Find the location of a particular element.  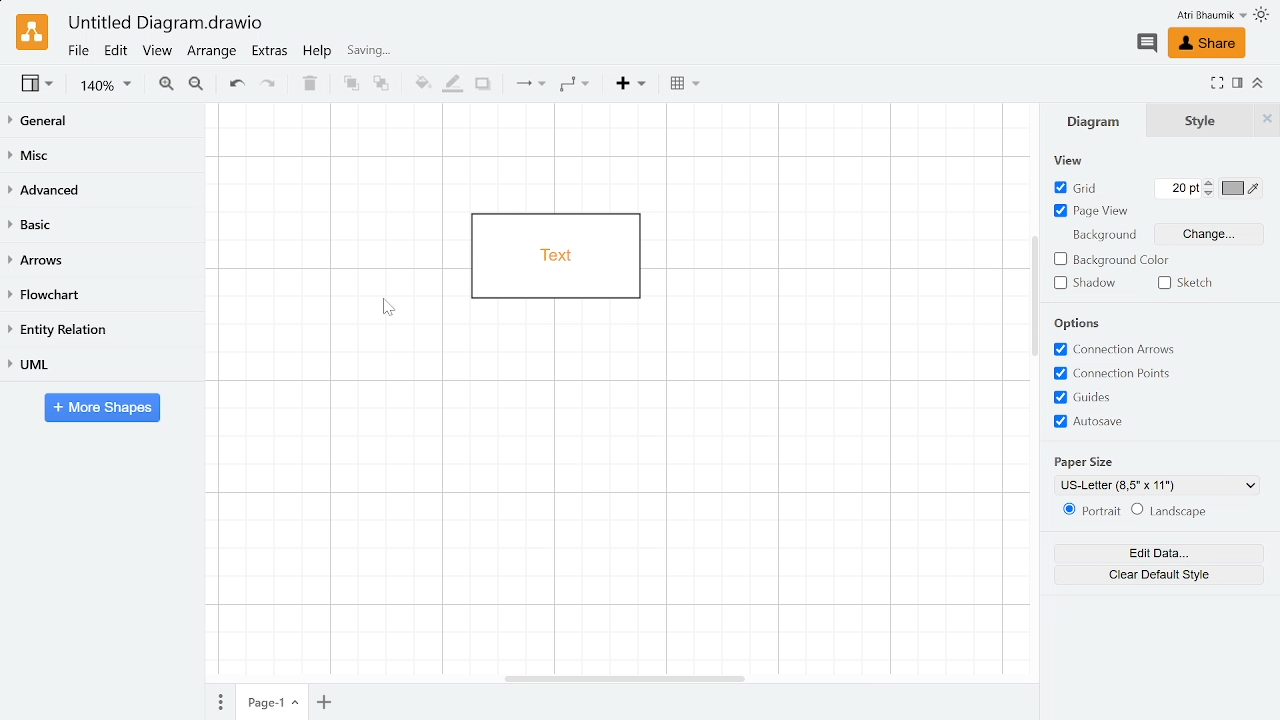

Connection points is located at coordinates (1124, 374).